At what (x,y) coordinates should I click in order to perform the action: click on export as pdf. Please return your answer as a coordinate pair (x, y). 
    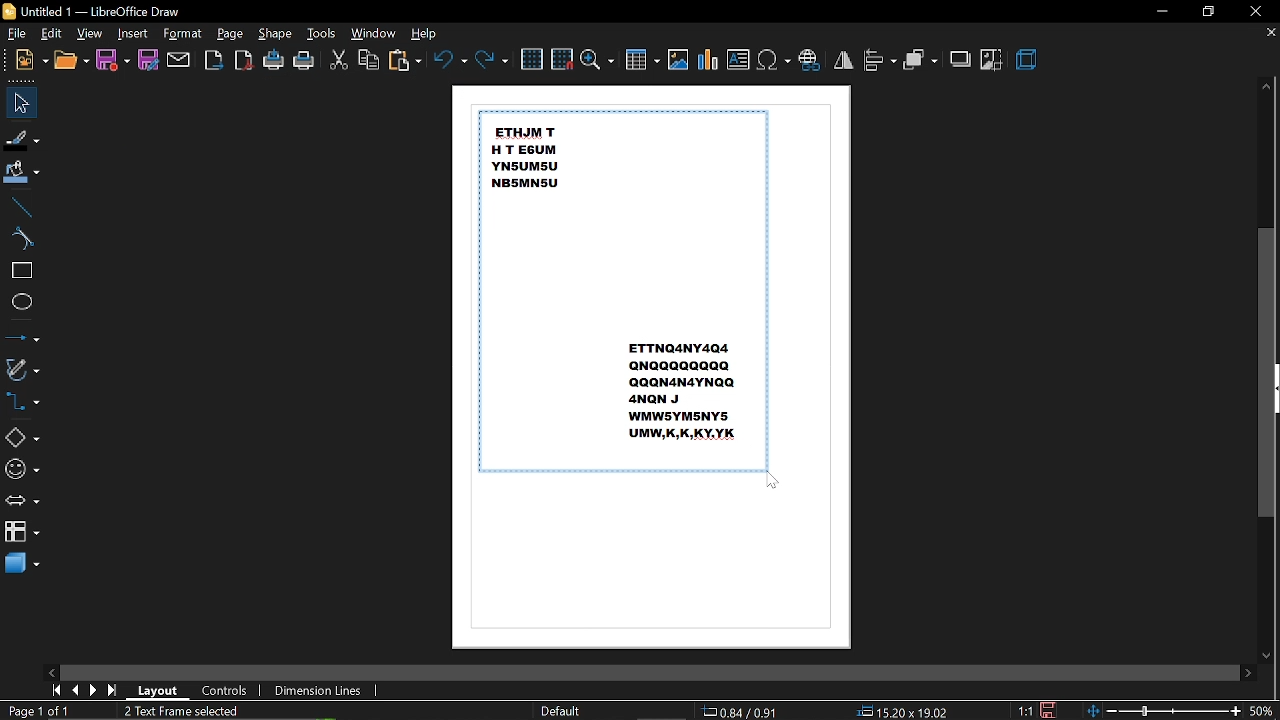
    Looking at the image, I should click on (243, 62).